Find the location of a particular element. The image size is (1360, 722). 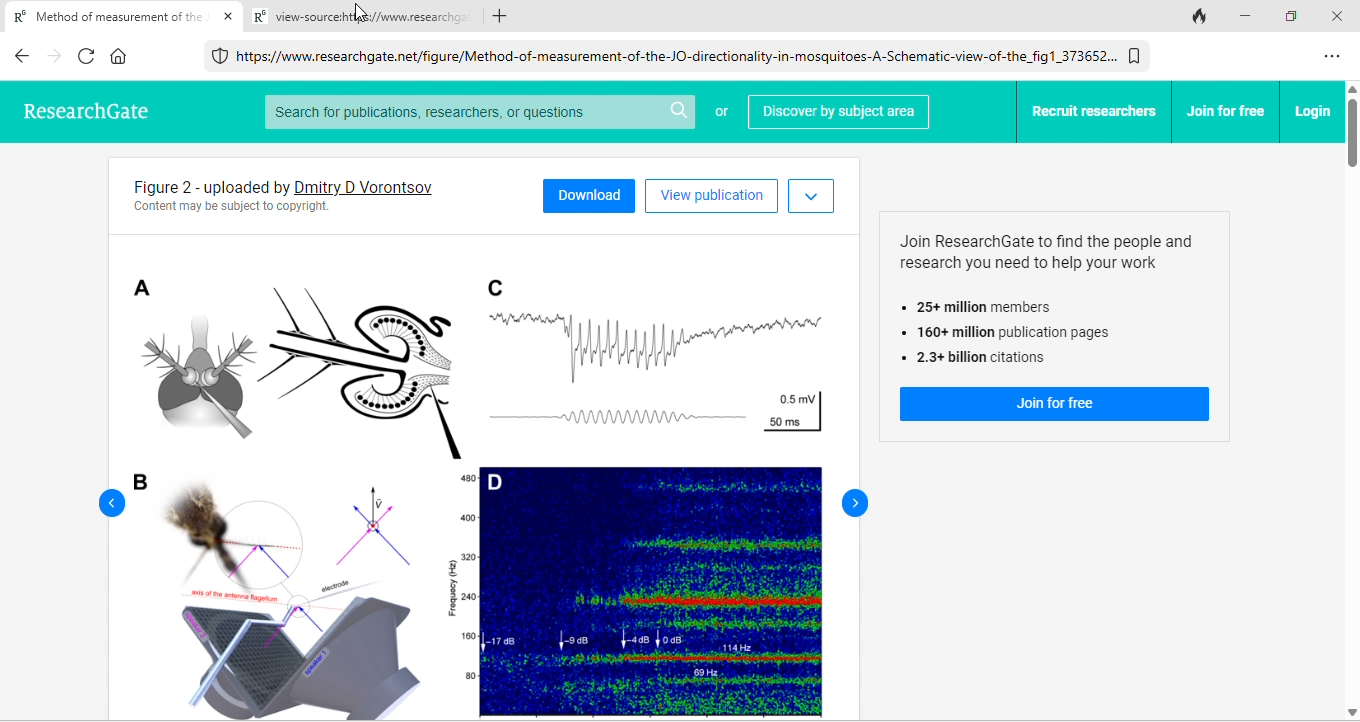

R® Method of measurement of th is located at coordinates (104, 20).